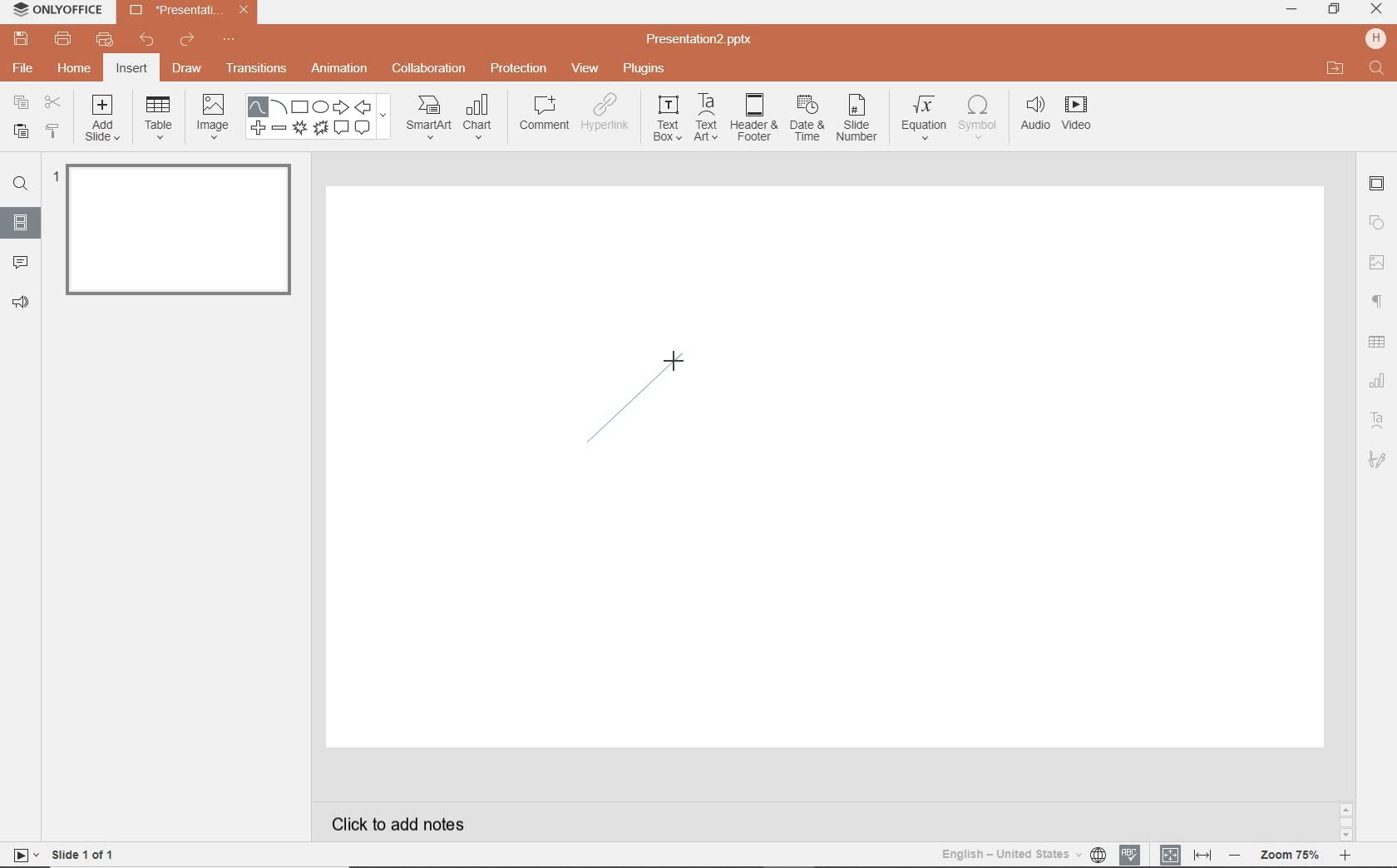 This screenshot has width=1397, height=868. What do you see at coordinates (1380, 379) in the screenshot?
I see `CHART SETTINGS` at bounding box center [1380, 379].